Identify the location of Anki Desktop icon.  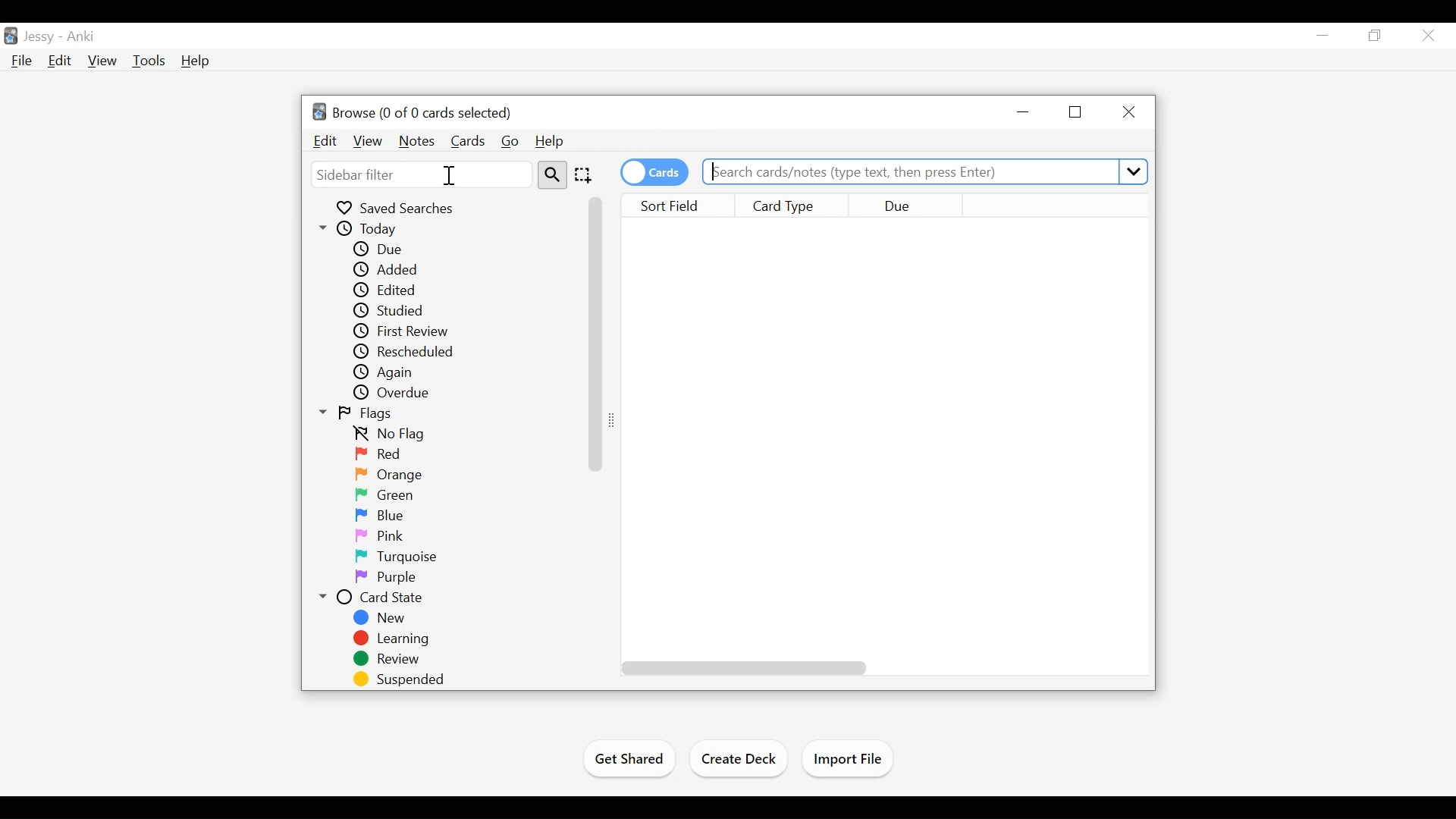
(10, 36).